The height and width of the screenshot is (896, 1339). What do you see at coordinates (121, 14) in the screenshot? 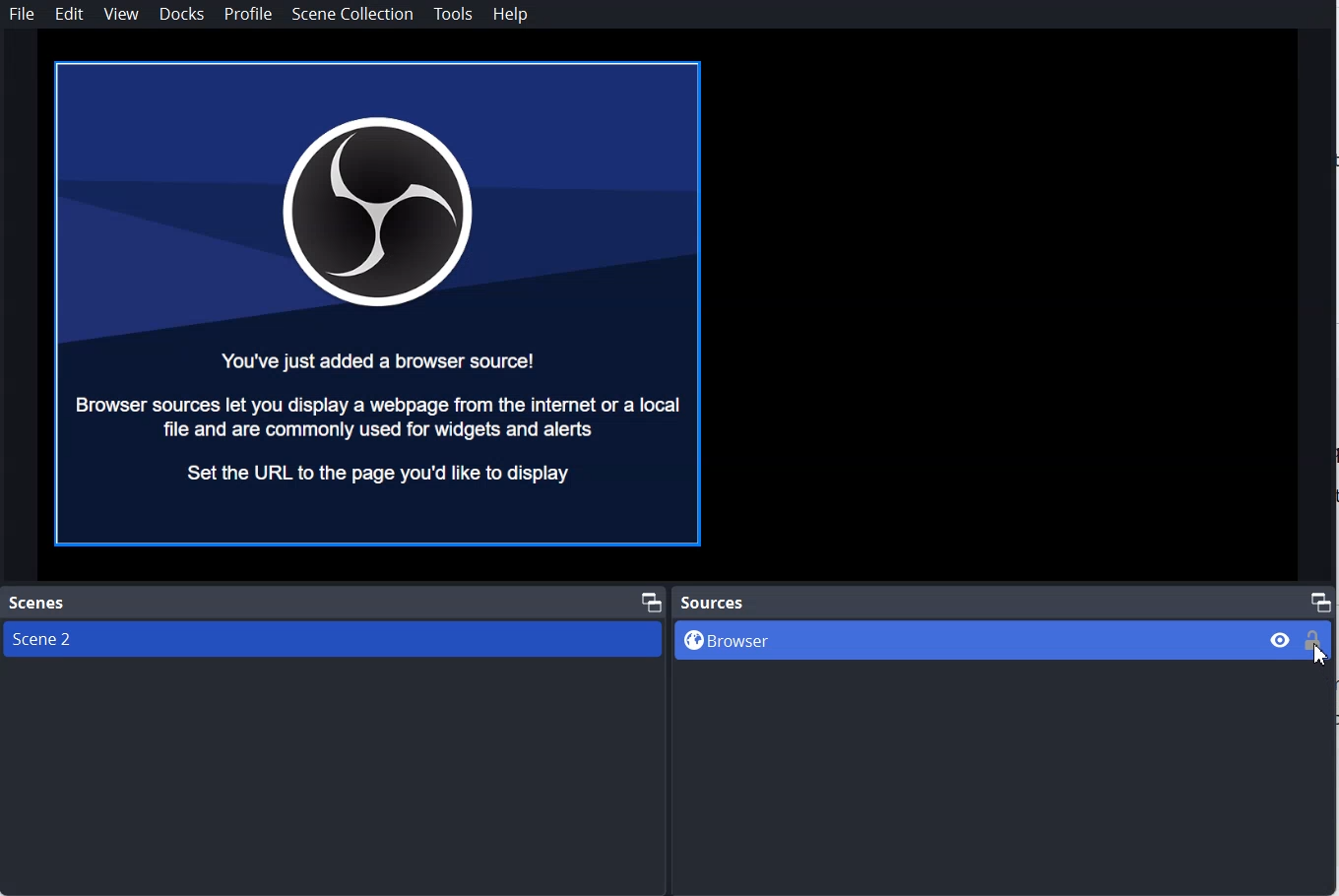
I see `View` at bounding box center [121, 14].